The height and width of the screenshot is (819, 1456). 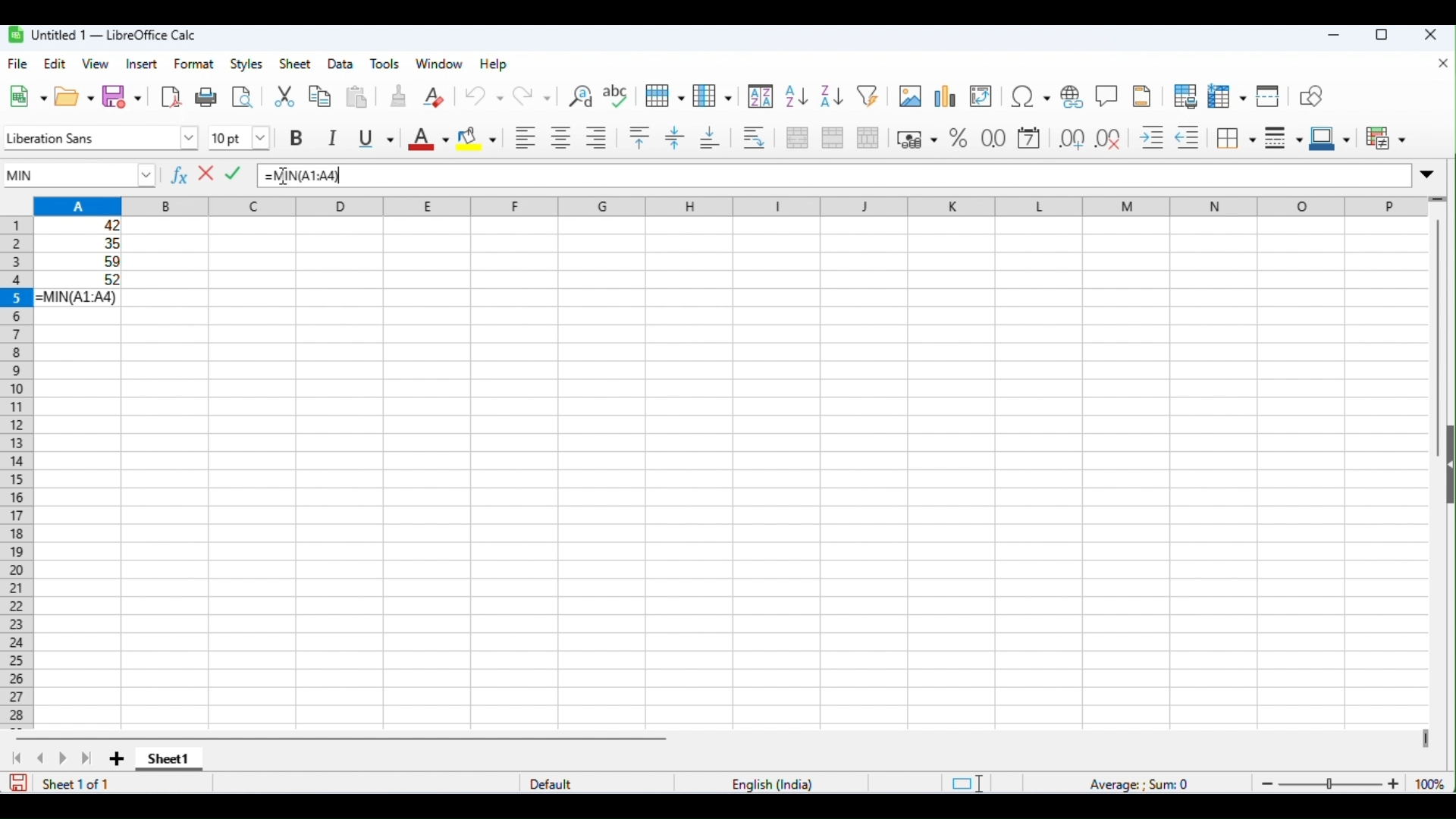 I want to click on = appeared , so click(x=51, y=298).